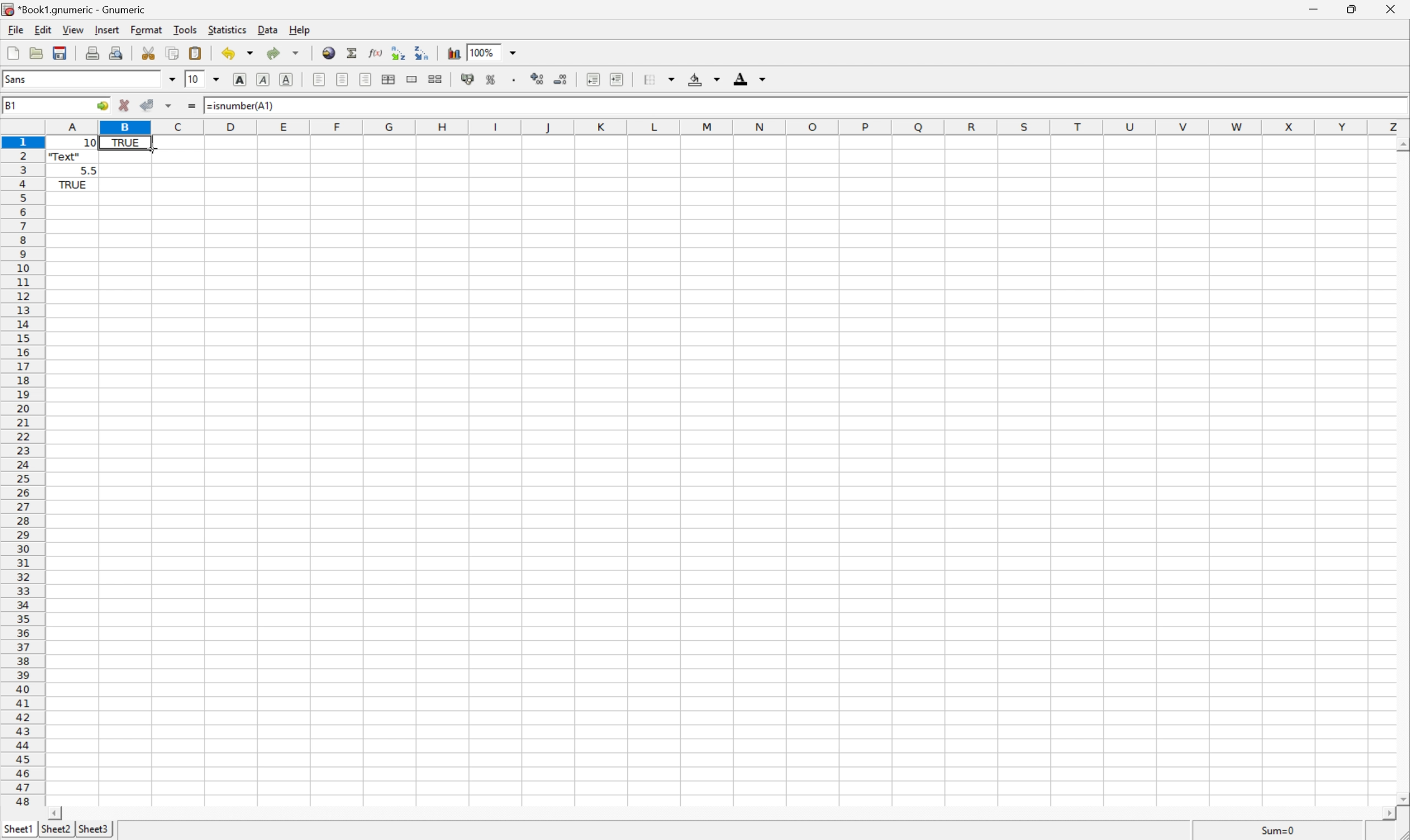 The width and height of the screenshot is (1410, 840). I want to click on Tools, so click(186, 29).